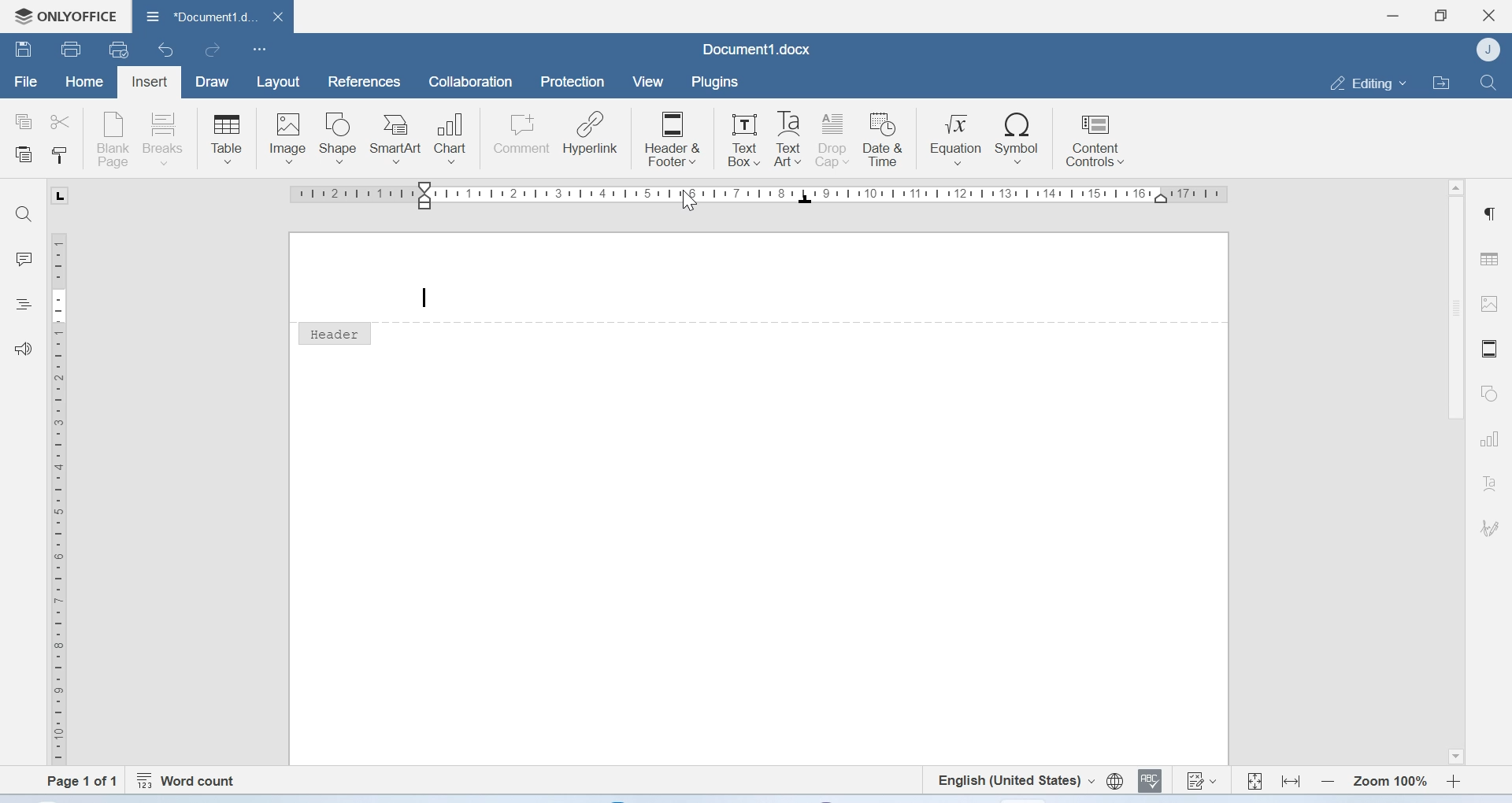 The width and height of the screenshot is (1512, 803). I want to click on Find, so click(1488, 82).